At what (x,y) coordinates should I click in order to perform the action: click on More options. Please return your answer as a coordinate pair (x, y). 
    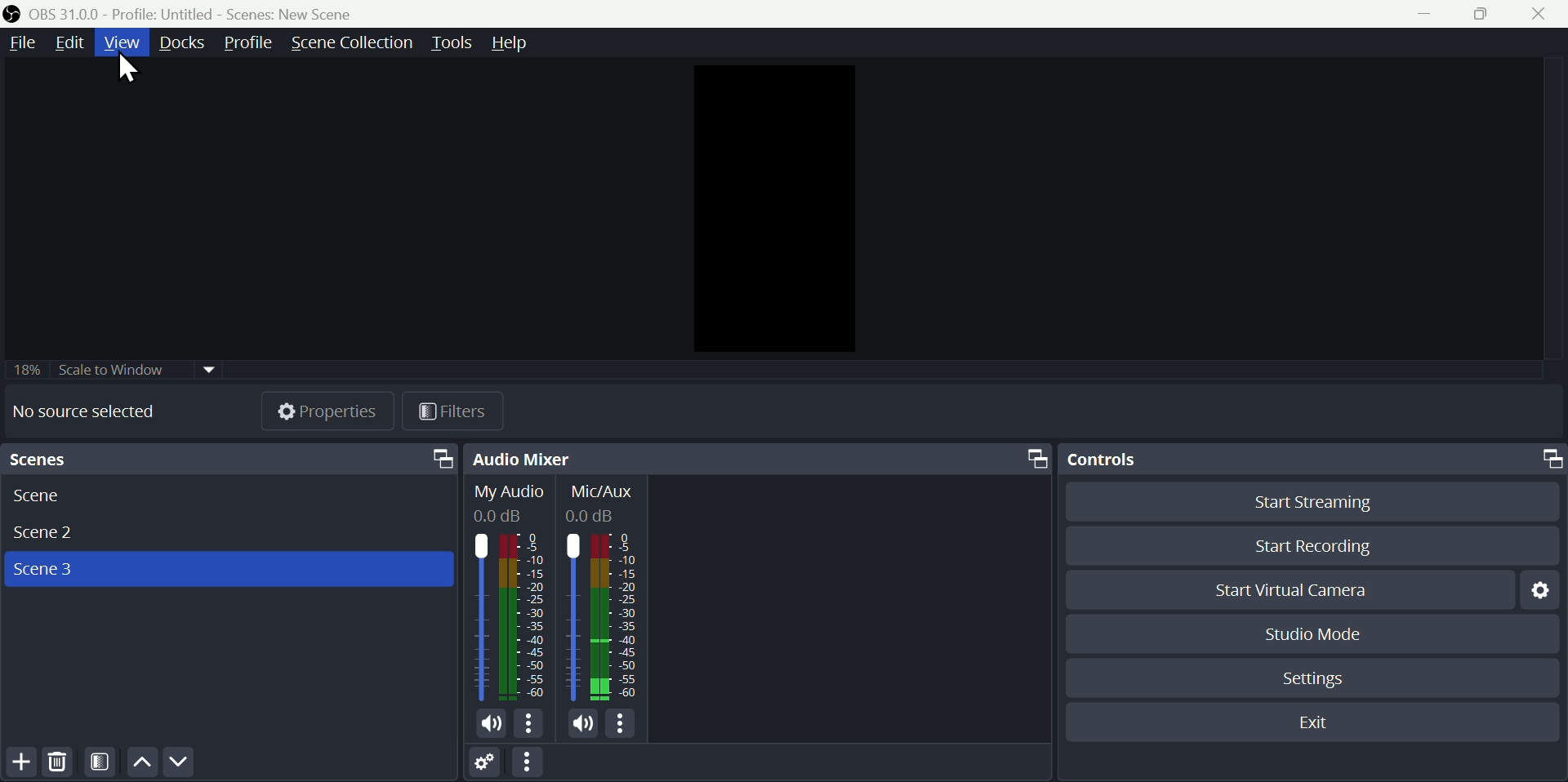
    Looking at the image, I should click on (531, 725).